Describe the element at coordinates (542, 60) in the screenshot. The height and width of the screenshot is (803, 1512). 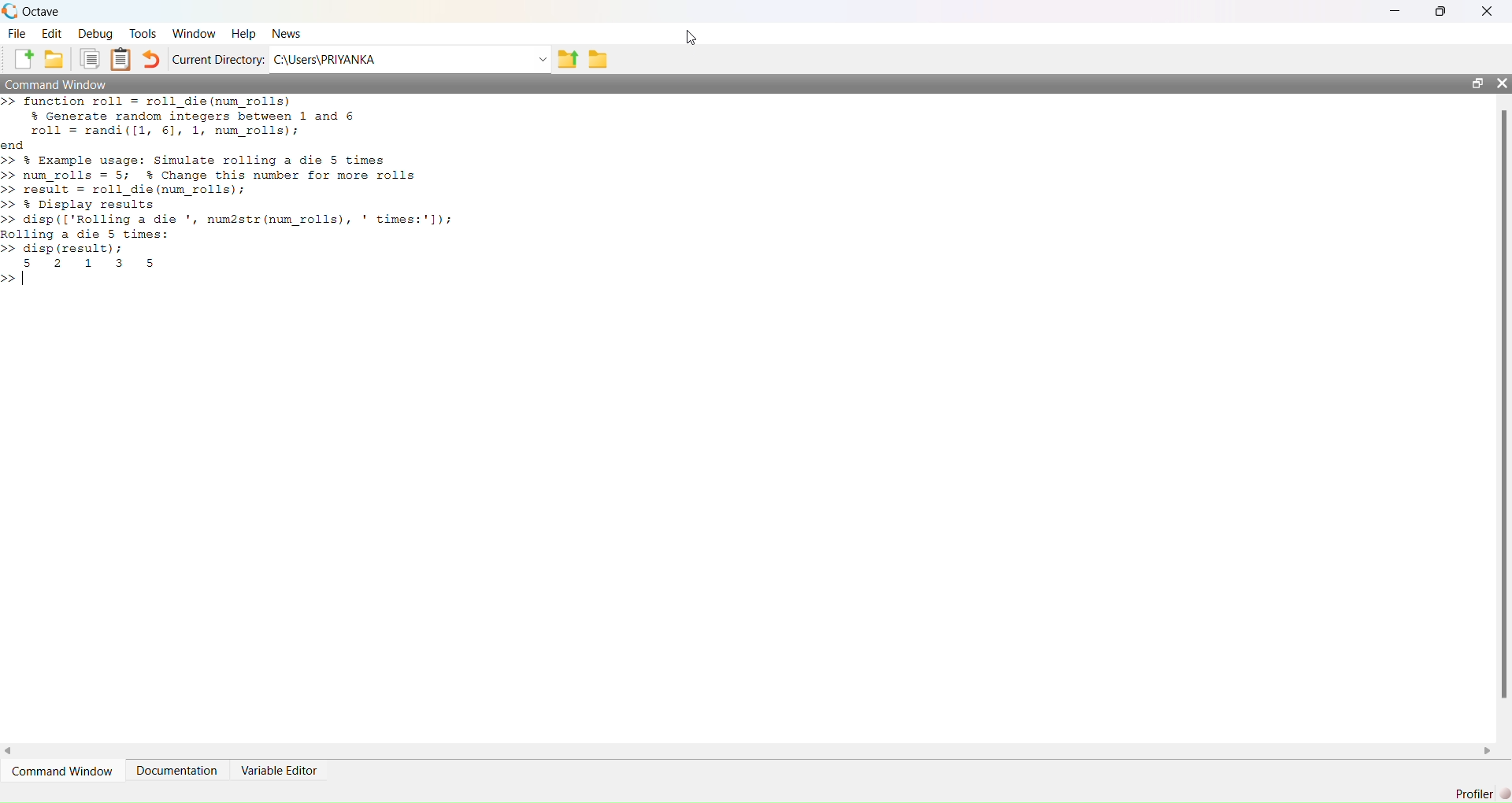
I see `Drop-down ` at that location.